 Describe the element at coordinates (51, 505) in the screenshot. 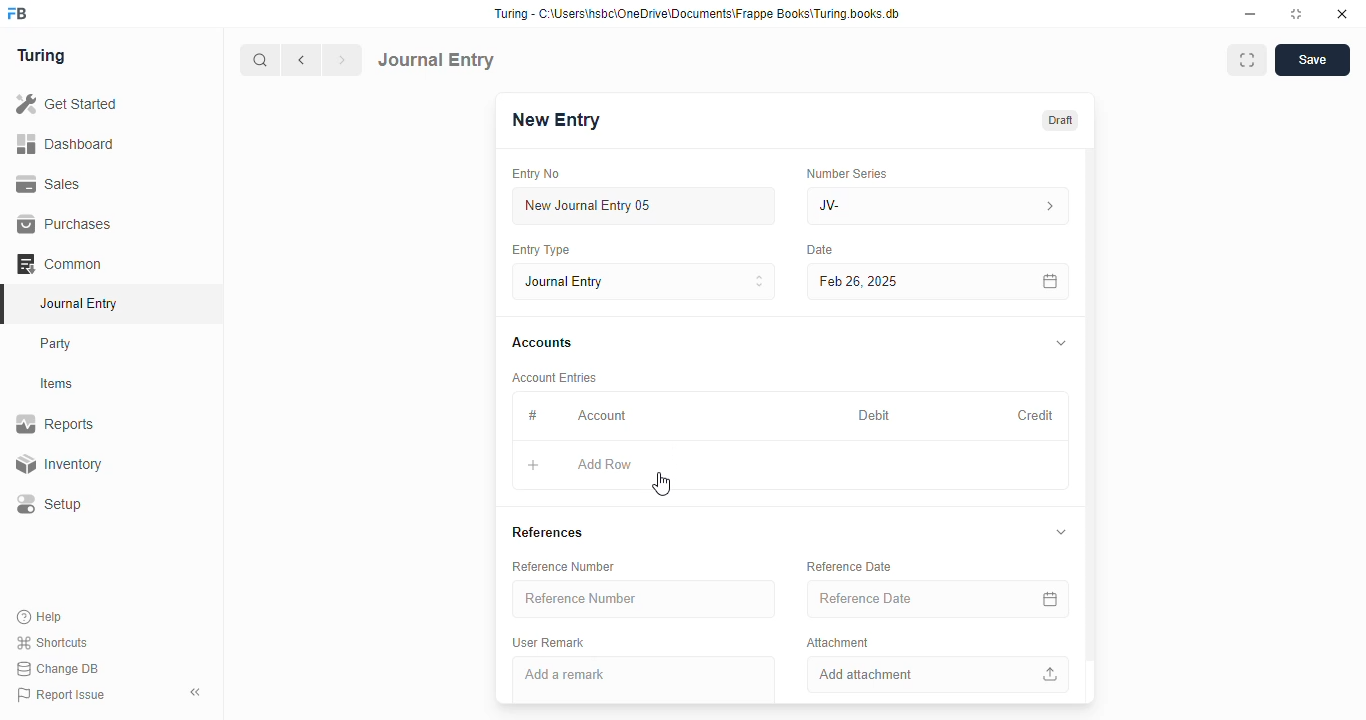

I see `setup` at that location.